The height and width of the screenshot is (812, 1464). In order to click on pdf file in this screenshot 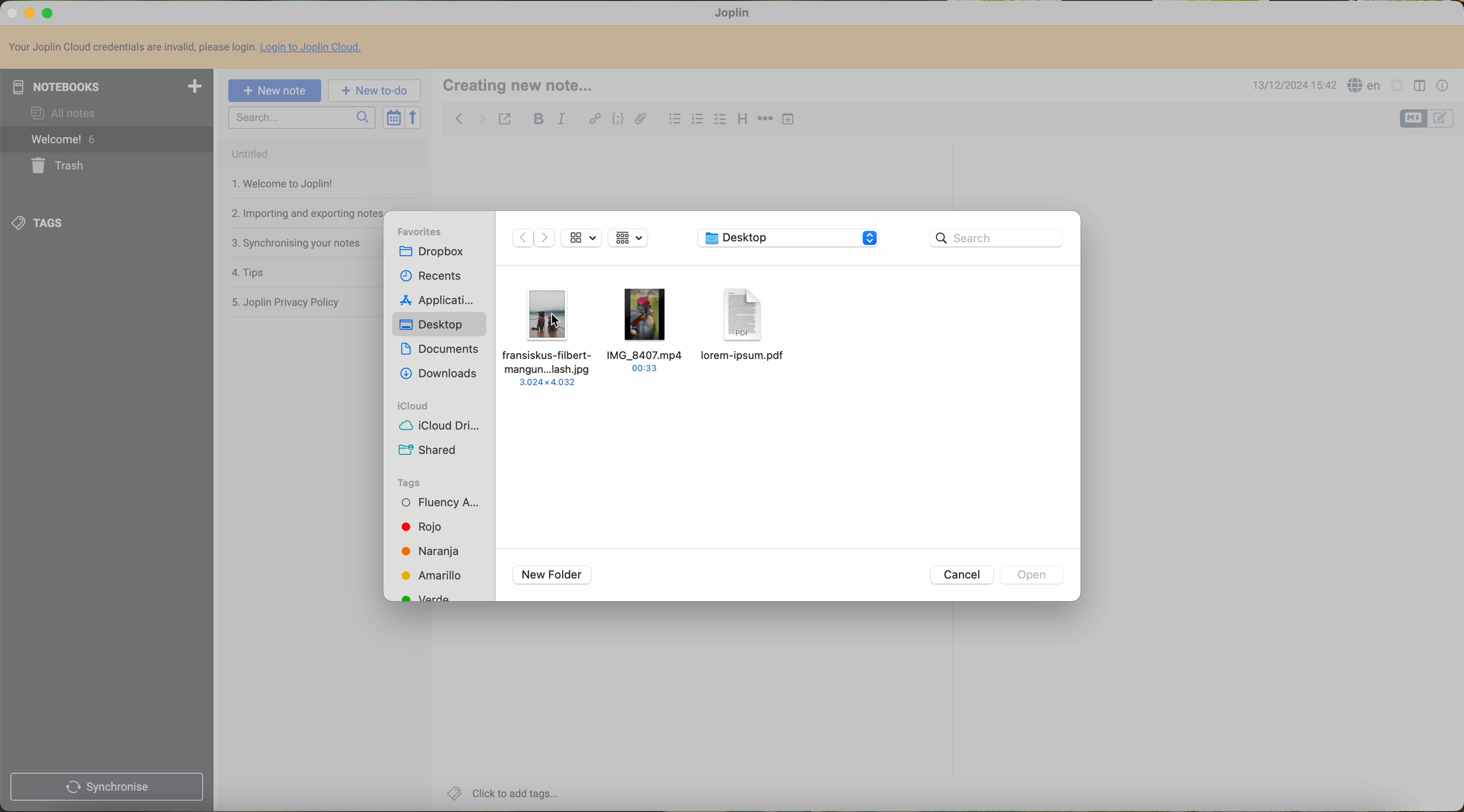, I will do `click(749, 325)`.